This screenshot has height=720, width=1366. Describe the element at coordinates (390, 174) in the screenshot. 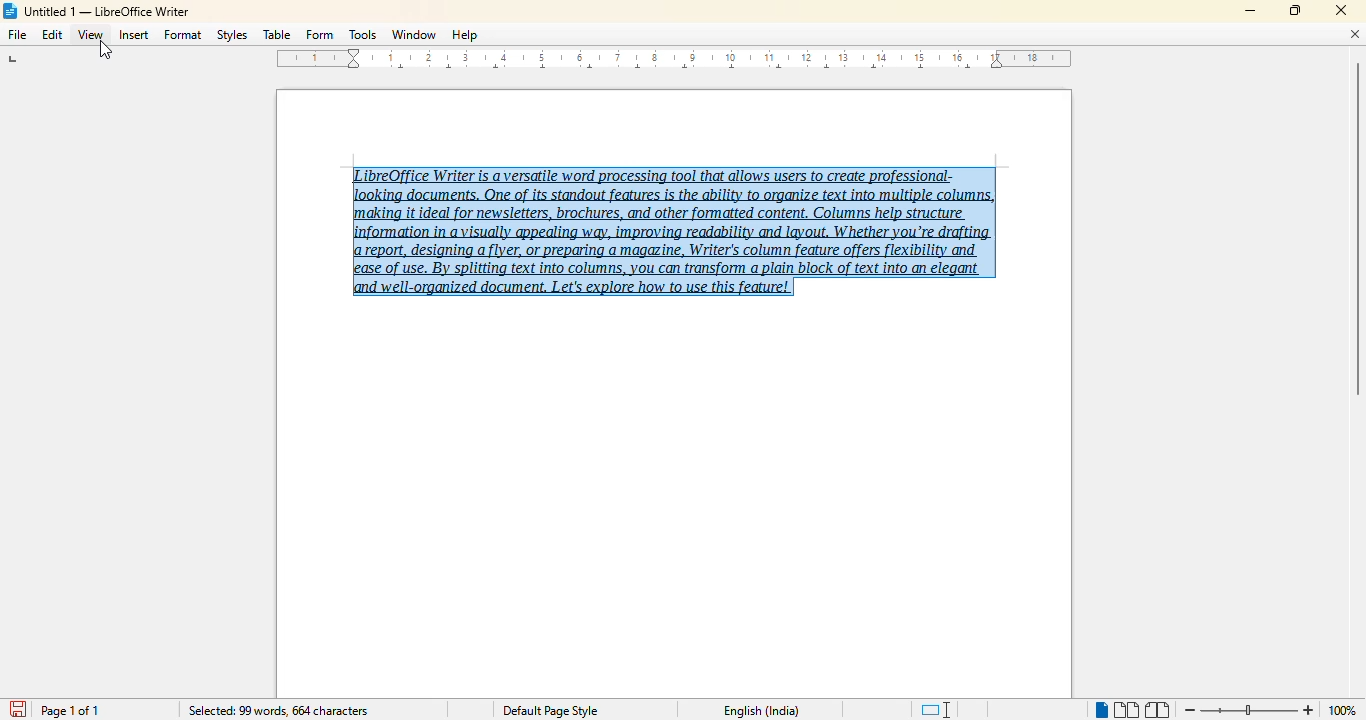

I see `cursor` at that location.